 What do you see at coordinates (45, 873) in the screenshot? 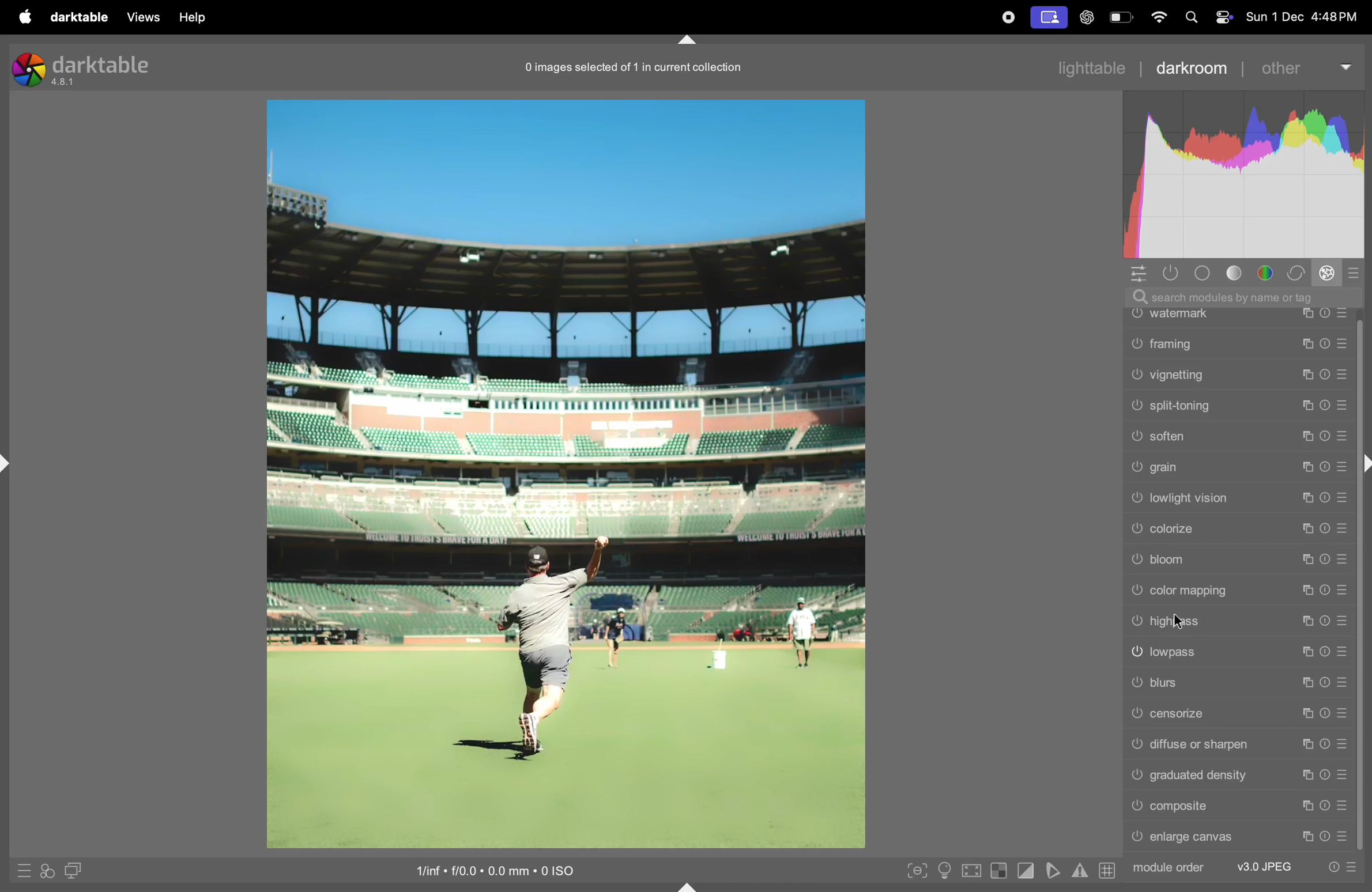
I see `quick acess applying styles` at bounding box center [45, 873].